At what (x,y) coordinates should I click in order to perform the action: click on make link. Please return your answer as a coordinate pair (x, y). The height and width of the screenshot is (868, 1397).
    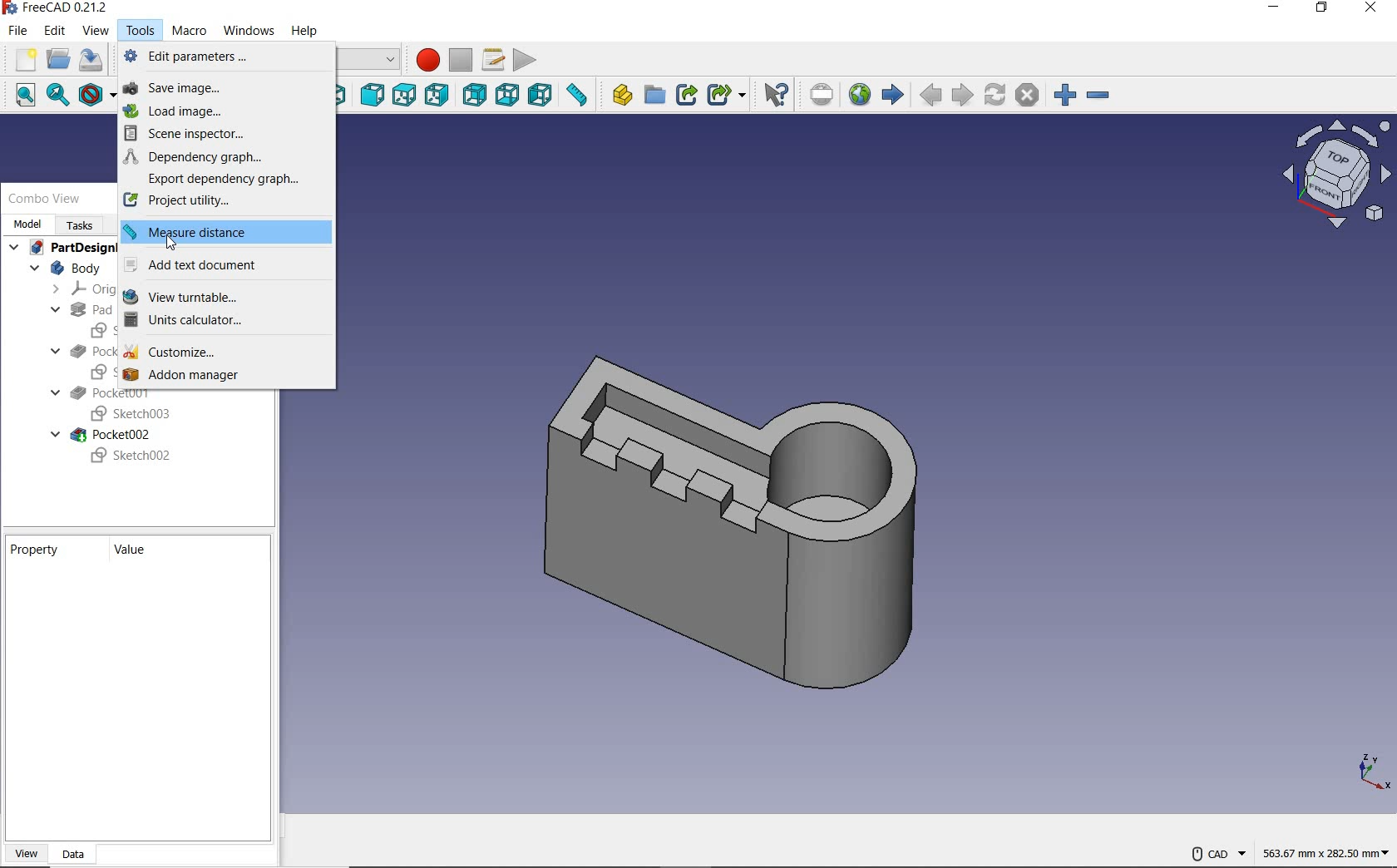
    Looking at the image, I should click on (686, 95).